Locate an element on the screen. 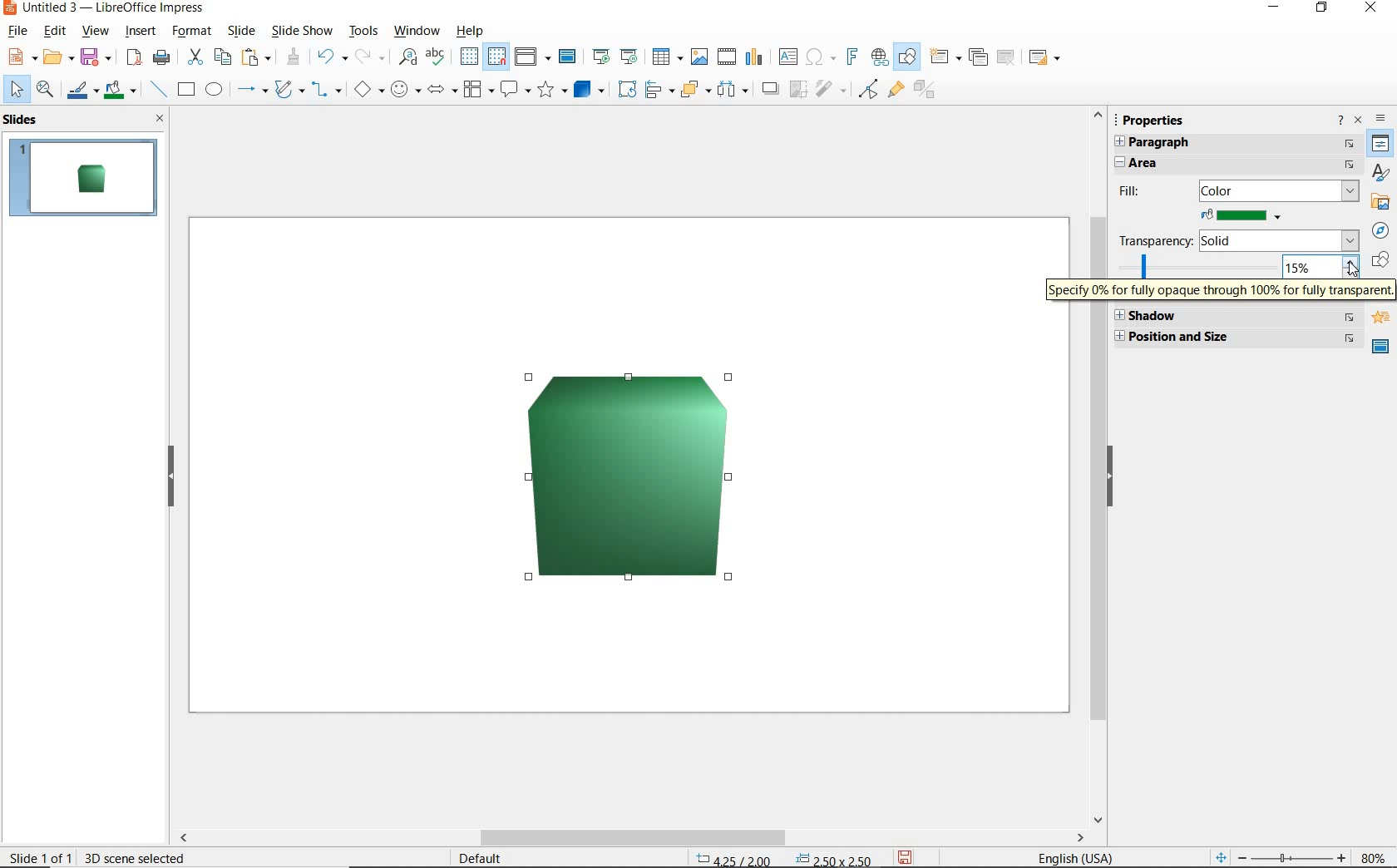 The width and height of the screenshot is (1397, 868). copy is located at coordinates (224, 57).